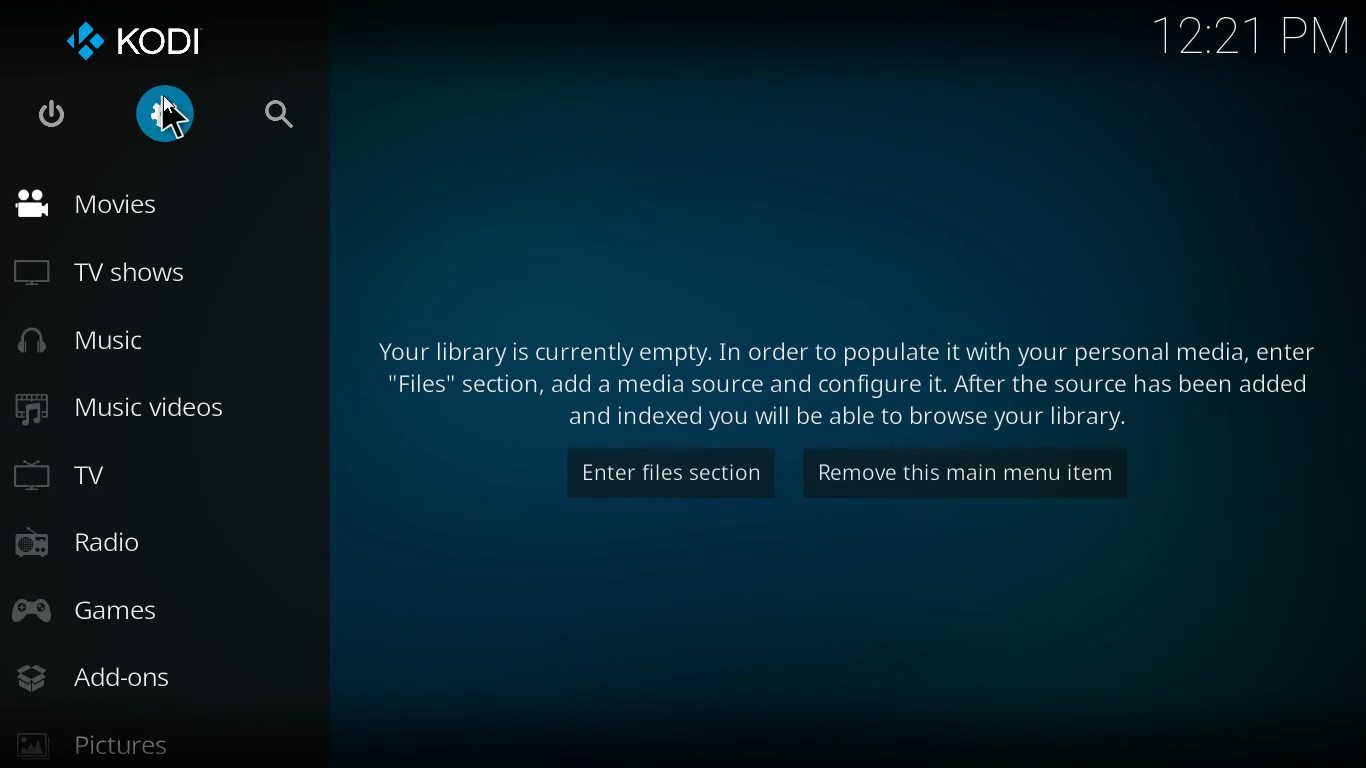 The height and width of the screenshot is (768, 1366). Describe the element at coordinates (137, 679) in the screenshot. I see `add-ons` at that location.